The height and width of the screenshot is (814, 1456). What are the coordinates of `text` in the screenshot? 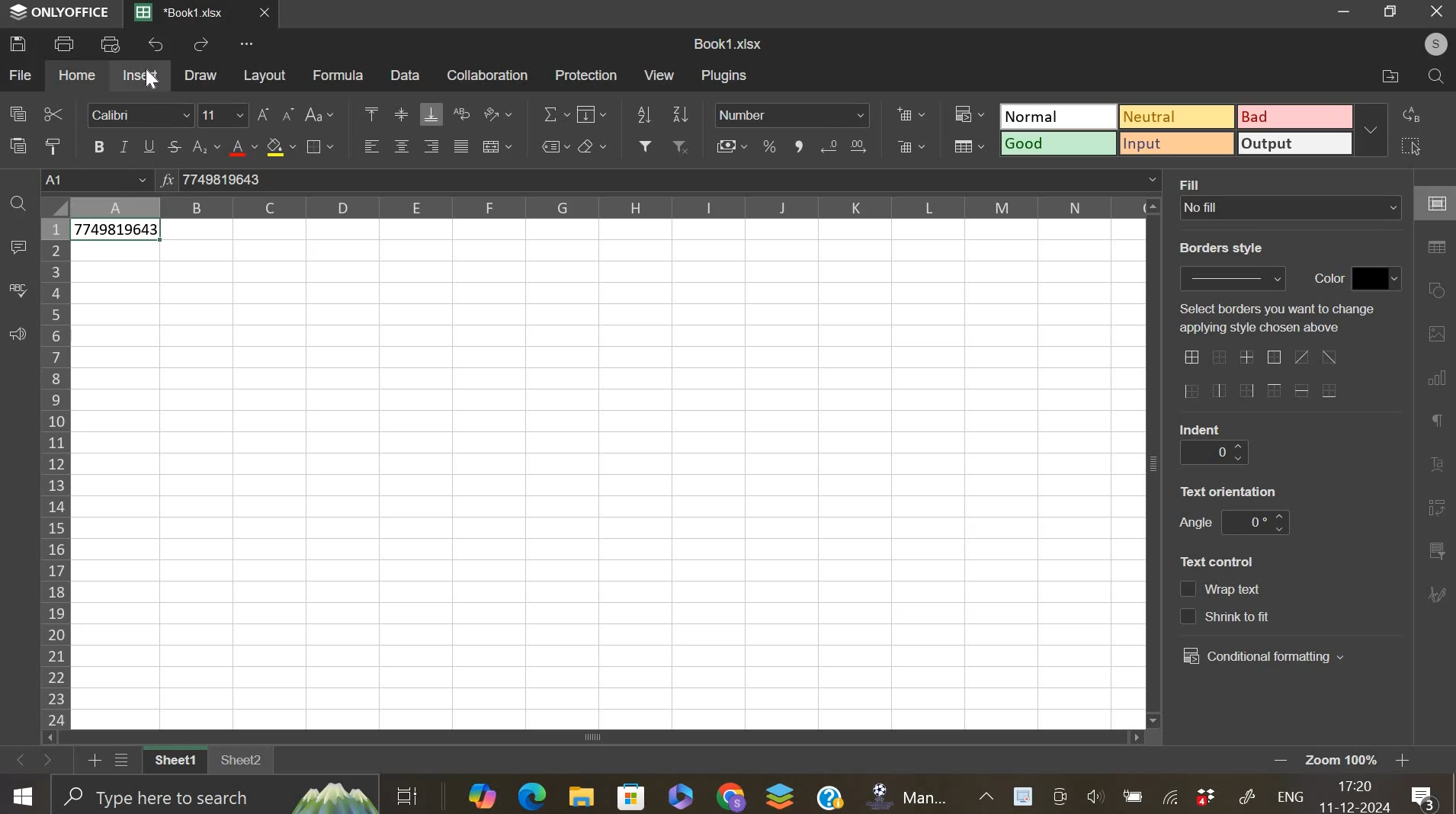 It's located at (1229, 491).